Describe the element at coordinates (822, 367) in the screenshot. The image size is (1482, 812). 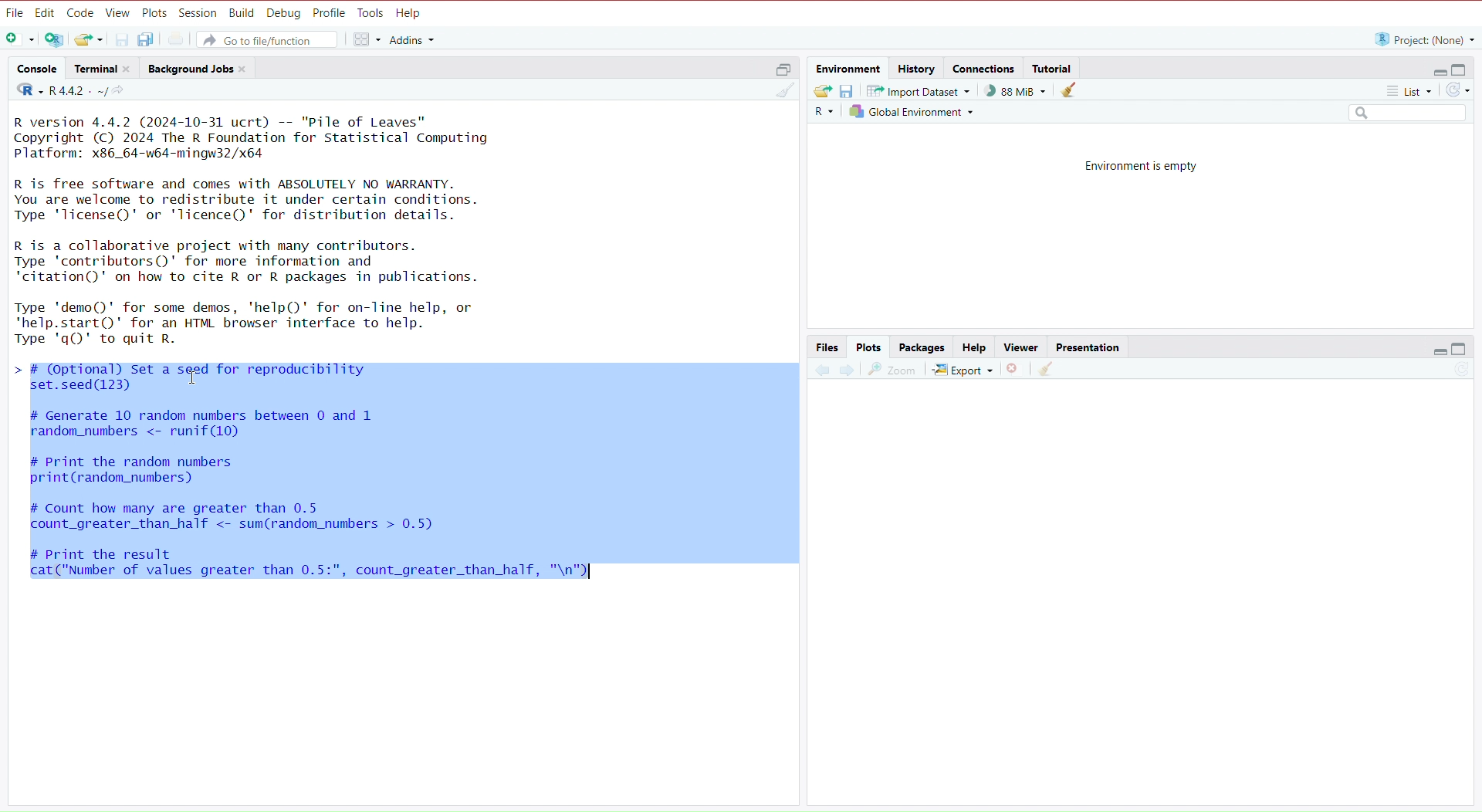
I see `Previous plot` at that location.